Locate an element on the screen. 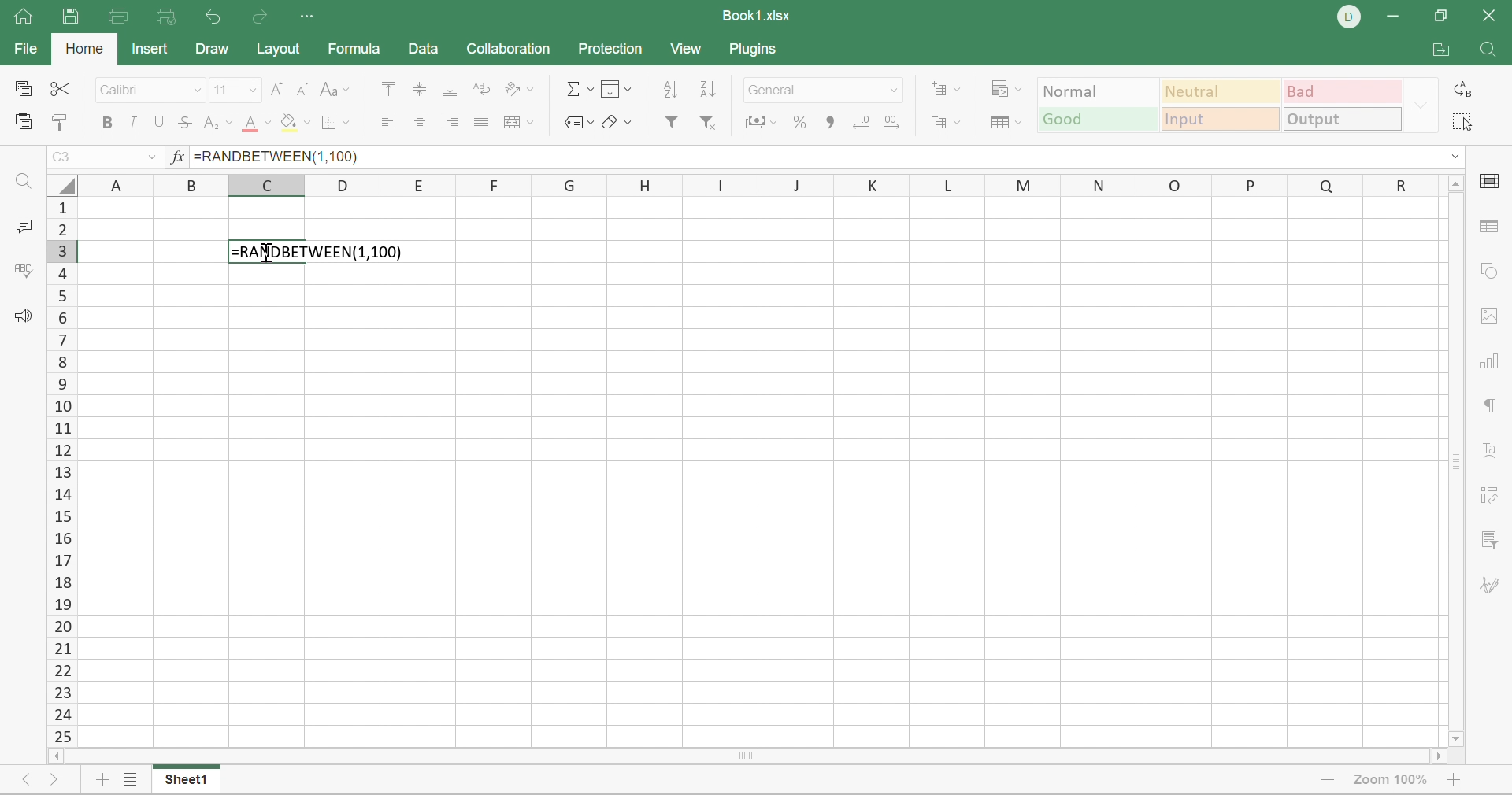 The image size is (1512, 795). Print is located at coordinates (120, 17).